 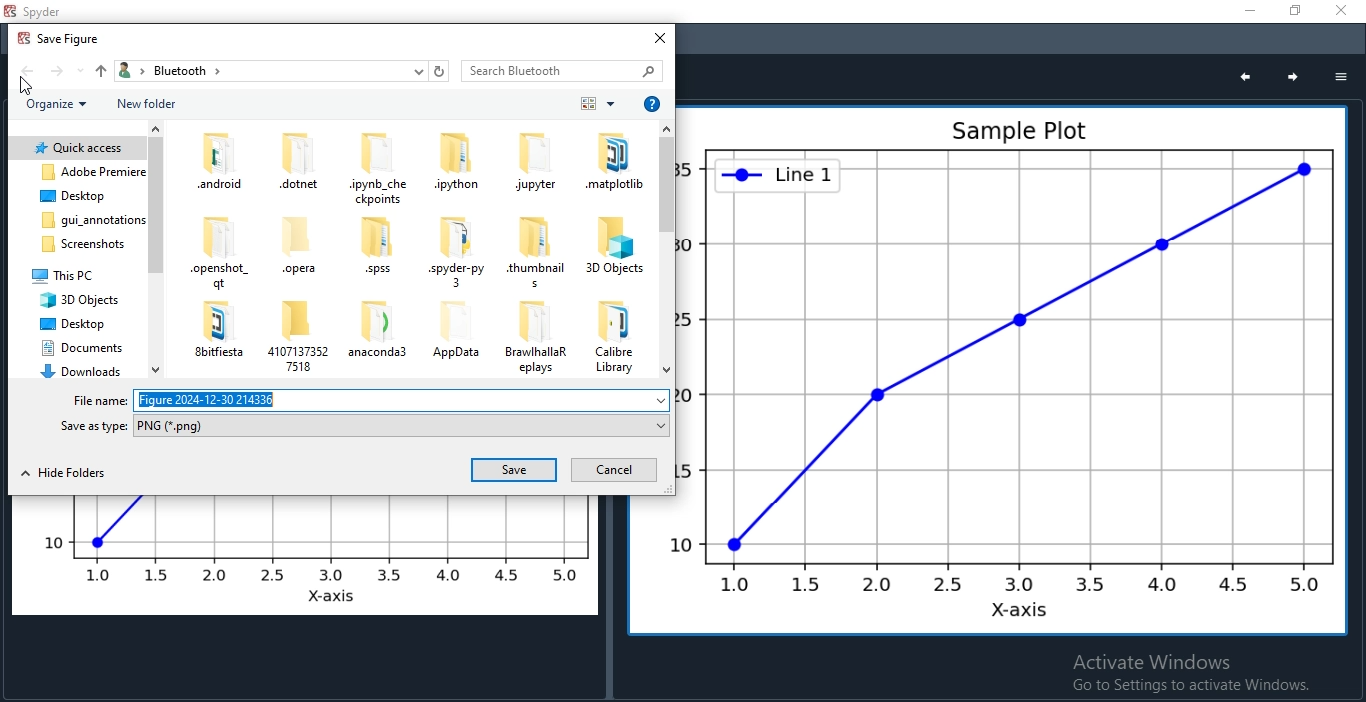 What do you see at coordinates (663, 246) in the screenshot?
I see `scroll bar` at bounding box center [663, 246].